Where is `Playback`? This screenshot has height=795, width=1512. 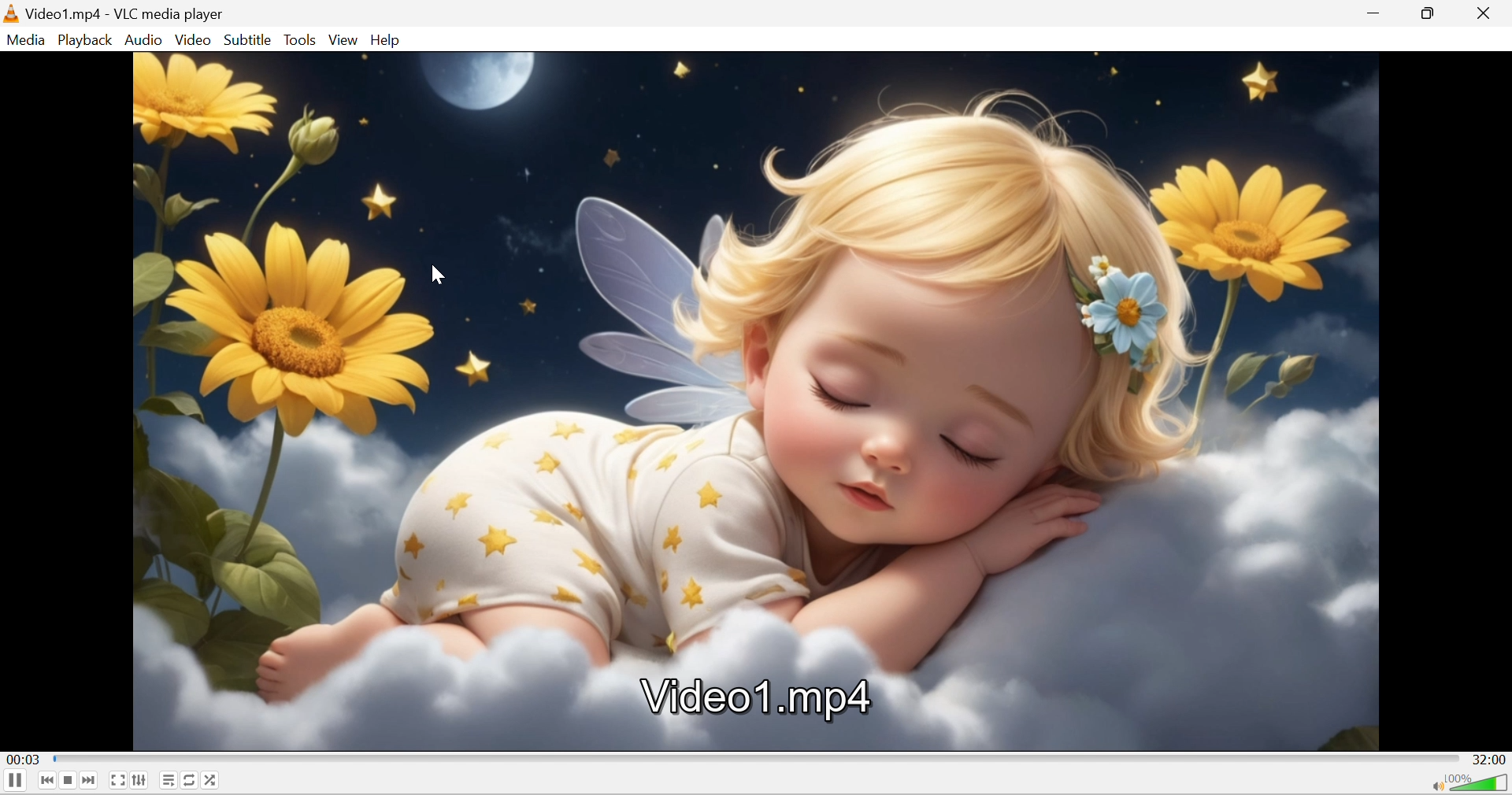
Playback is located at coordinates (88, 42).